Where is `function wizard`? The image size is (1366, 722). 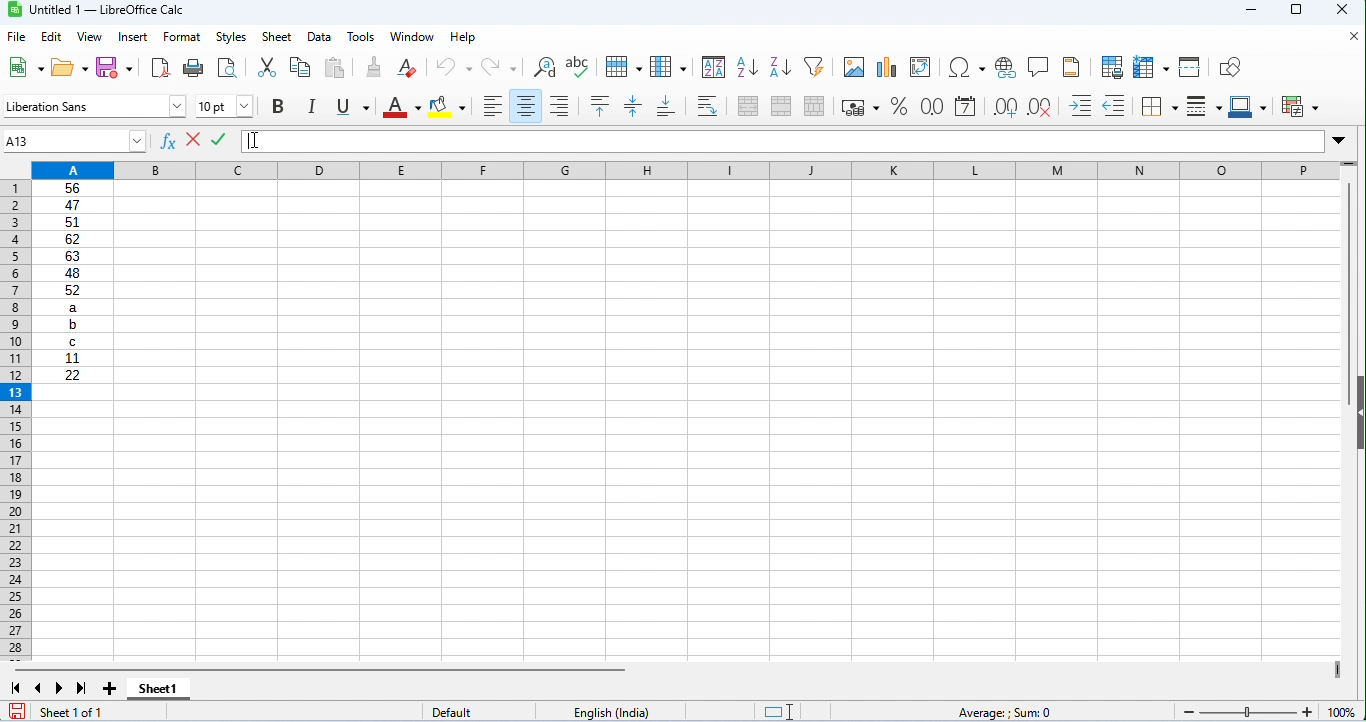
function wizard is located at coordinates (168, 141).